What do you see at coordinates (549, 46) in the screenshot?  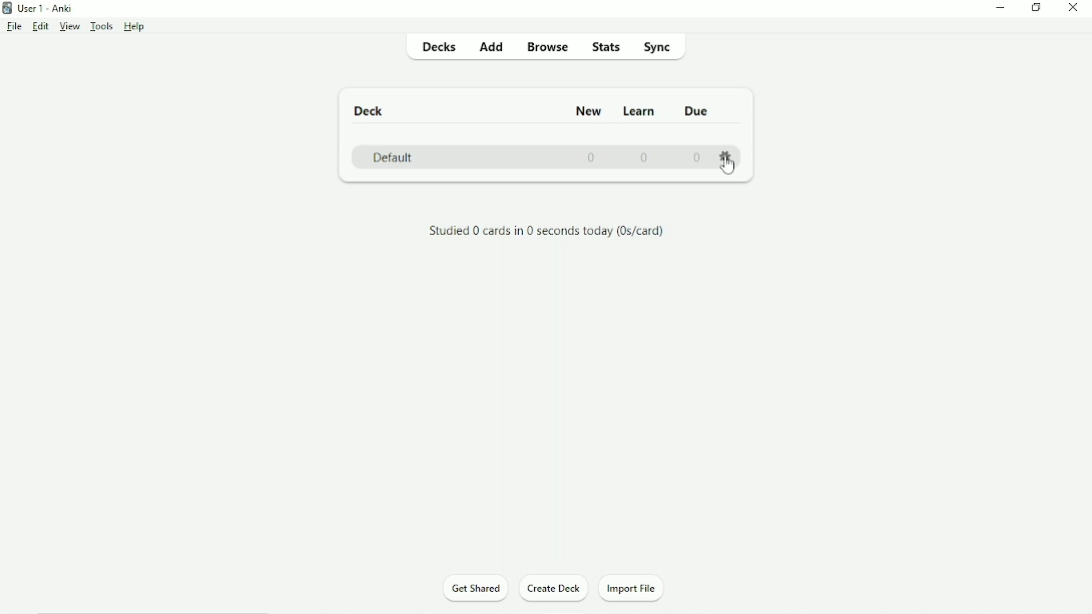 I see `Browse` at bounding box center [549, 46].